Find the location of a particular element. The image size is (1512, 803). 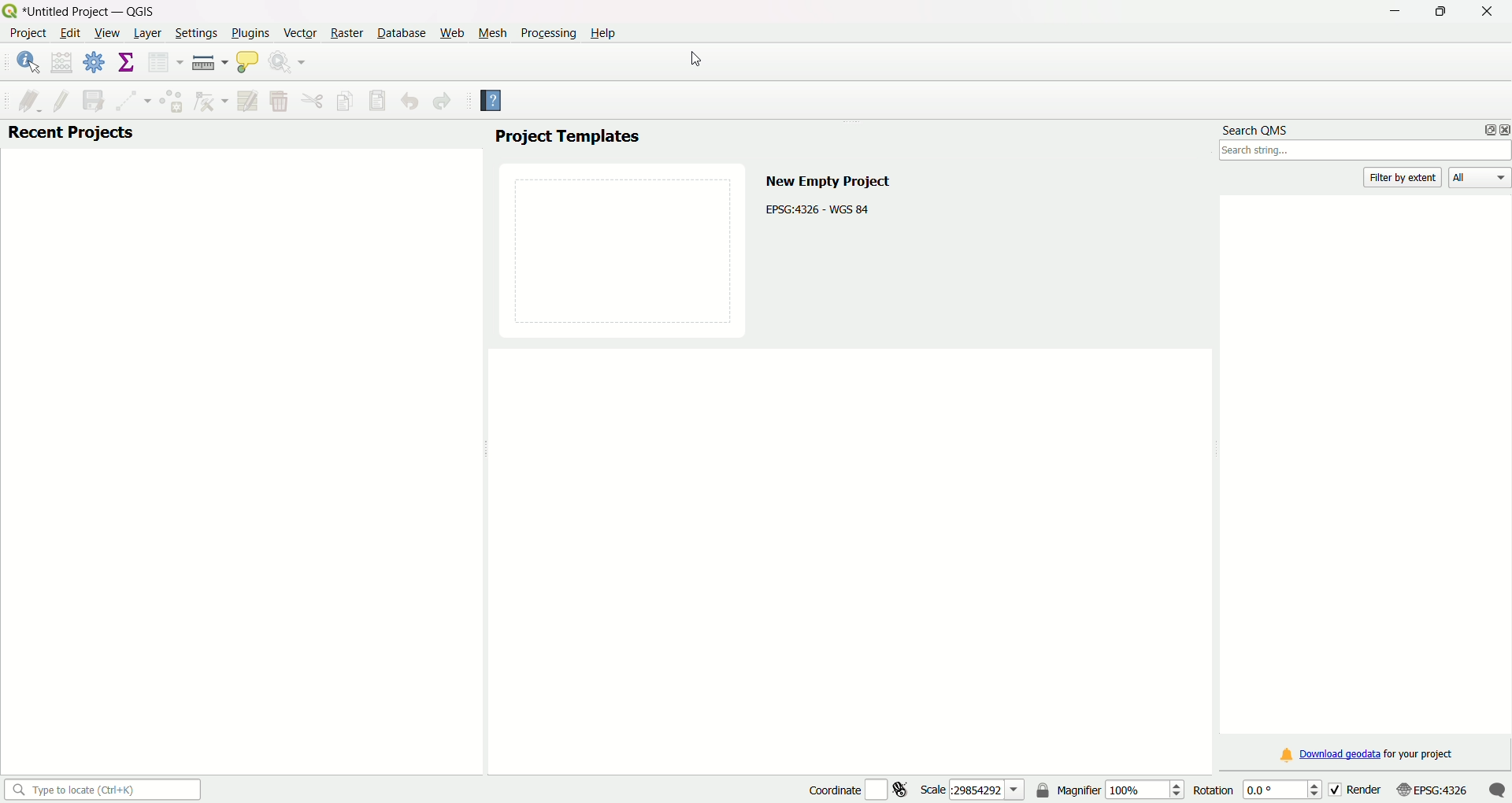

delete selected is located at coordinates (278, 102).